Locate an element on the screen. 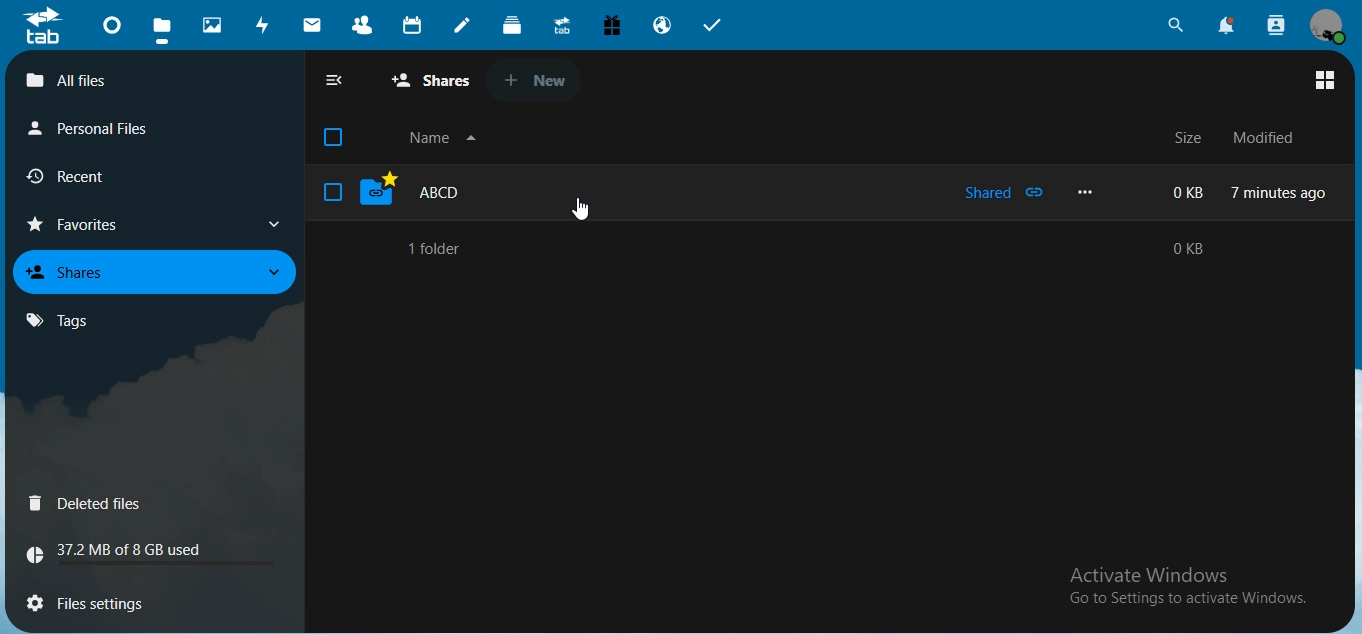  search contacts is located at coordinates (1273, 24).